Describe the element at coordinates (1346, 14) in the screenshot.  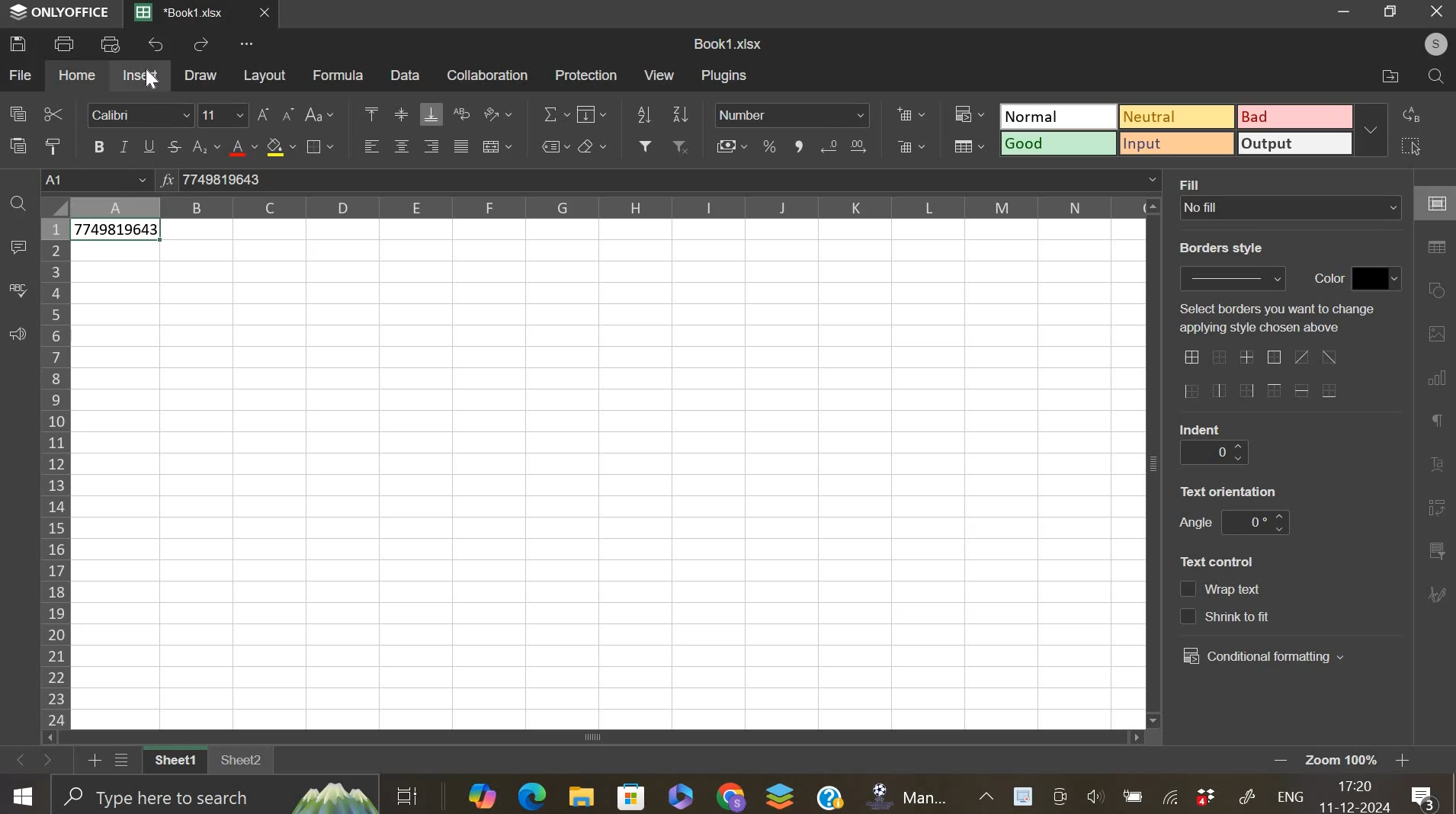
I see `Minimize` at that location.